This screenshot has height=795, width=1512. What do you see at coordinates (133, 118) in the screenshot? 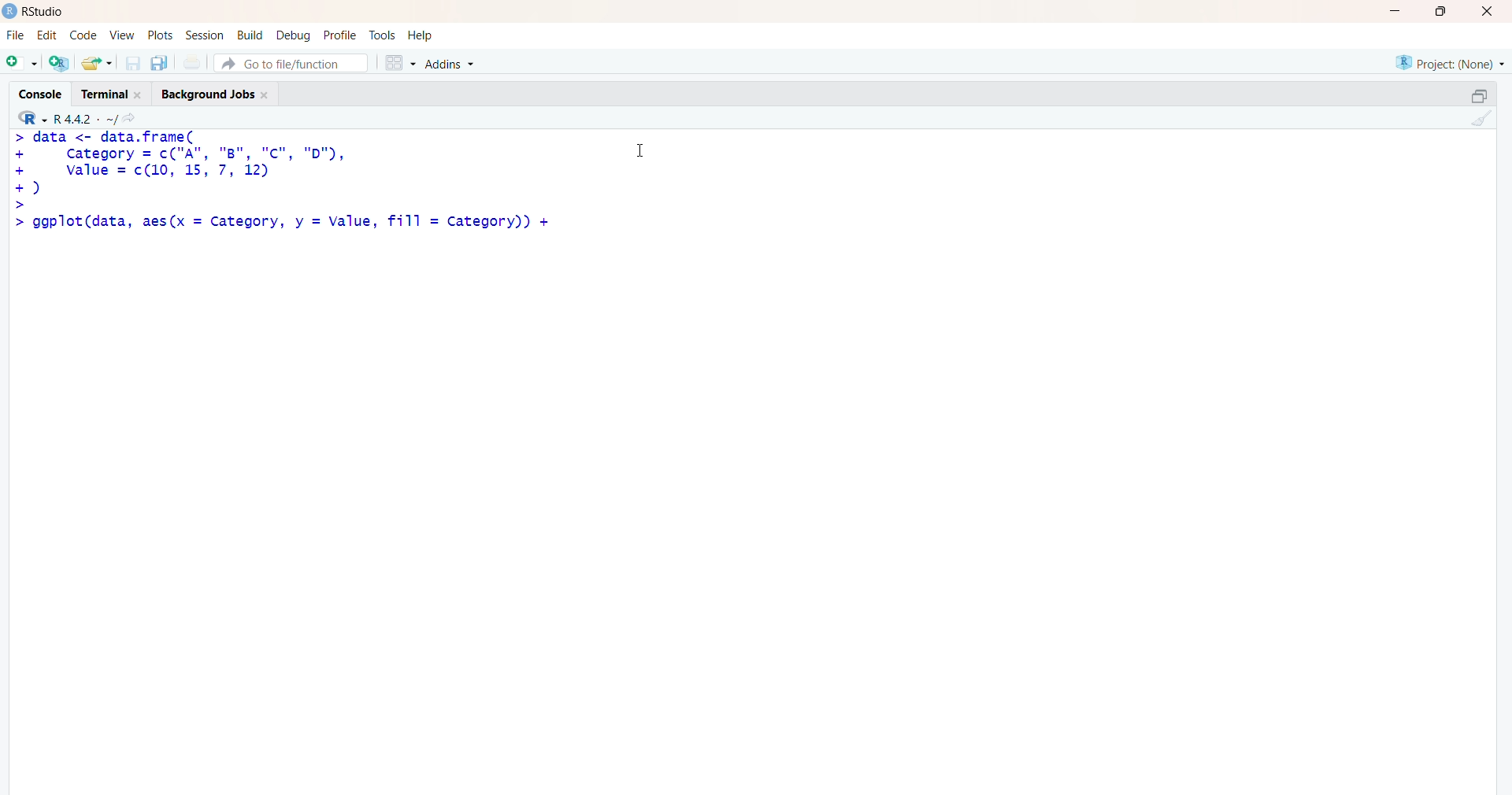
I see `go to directiory` at bounding box center [133, 118].